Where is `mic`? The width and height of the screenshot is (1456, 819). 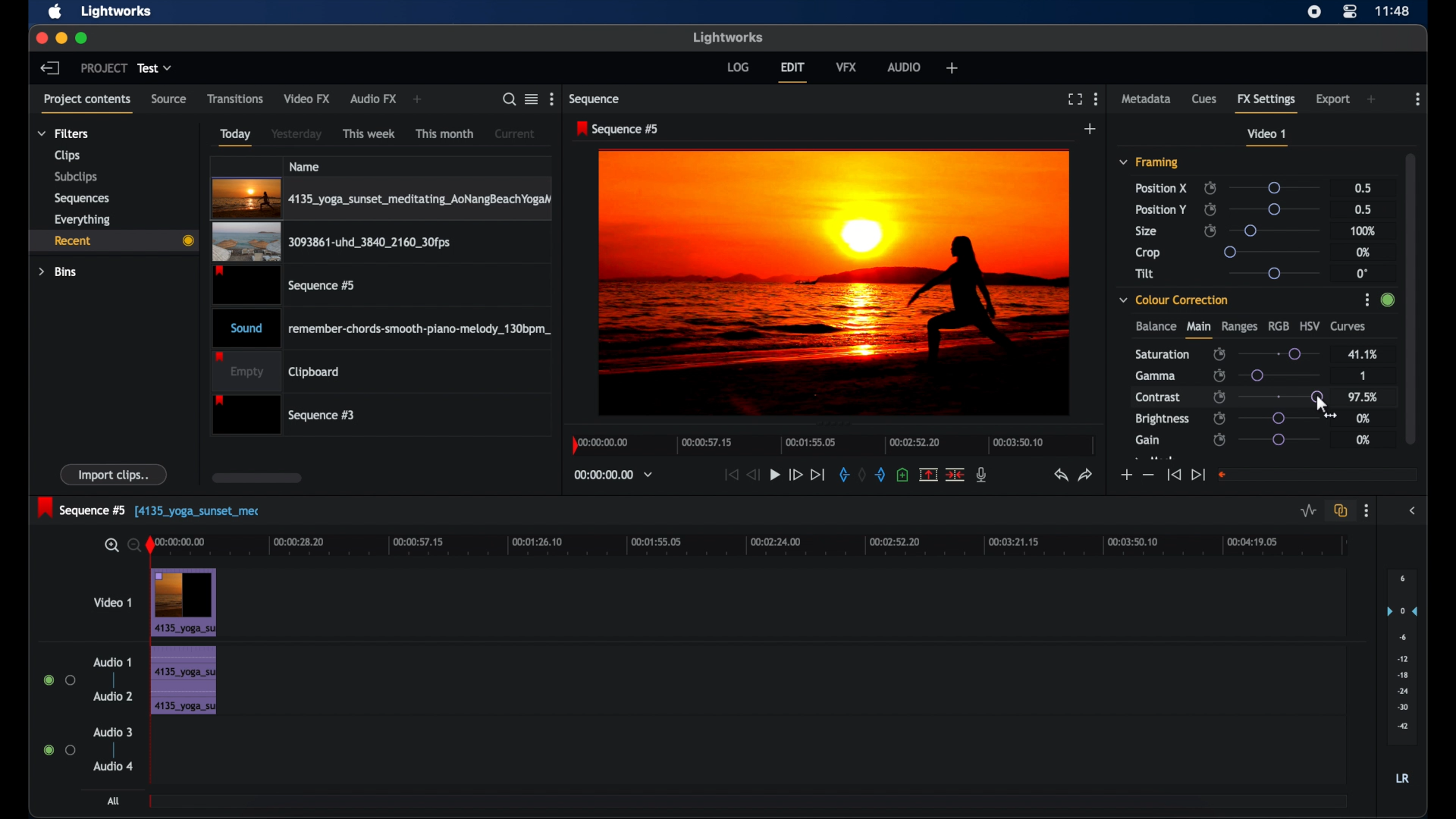
mic is located at coordinates (983, 475).